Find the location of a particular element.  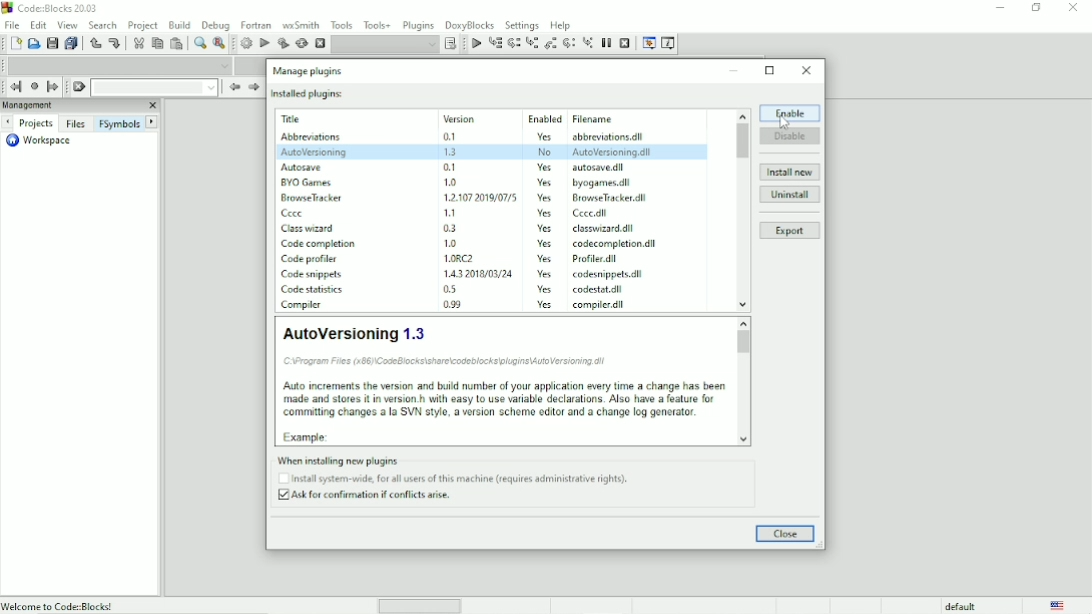

New file is located at coordinates (14, 43).